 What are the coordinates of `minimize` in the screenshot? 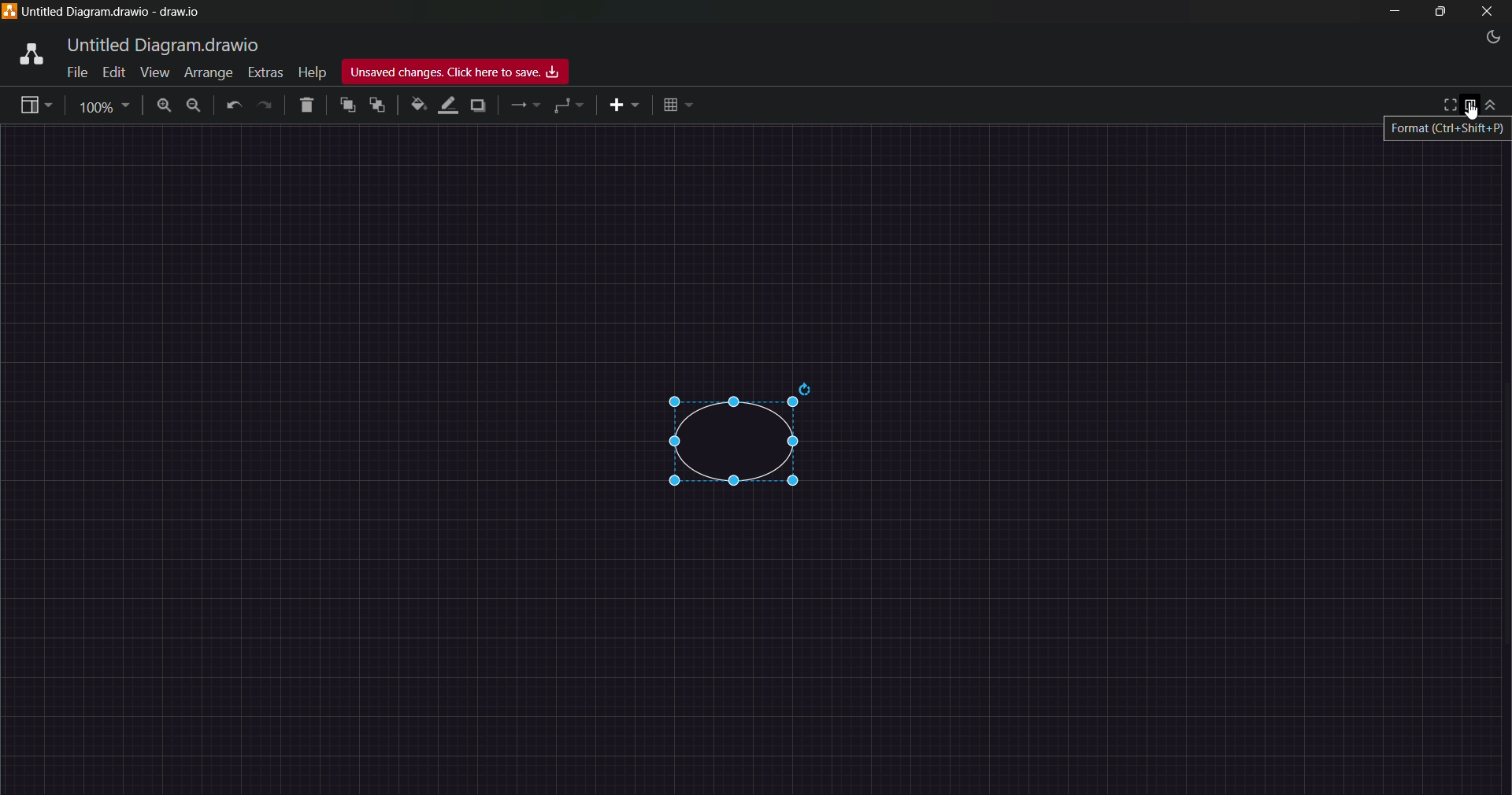 It's located at (1393, 11).